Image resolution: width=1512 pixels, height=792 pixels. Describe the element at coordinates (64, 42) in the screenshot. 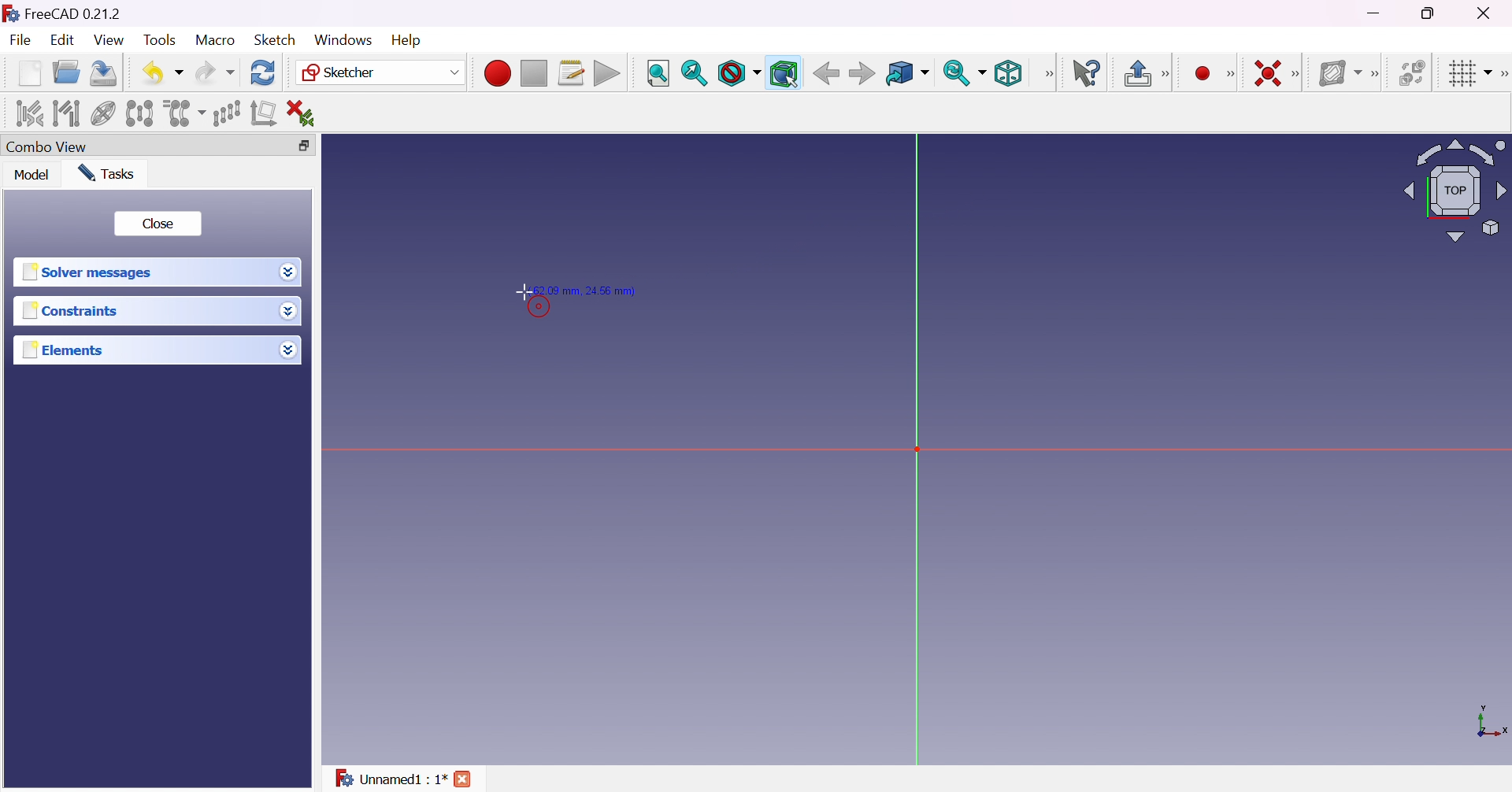

I see `Edit` at that location.